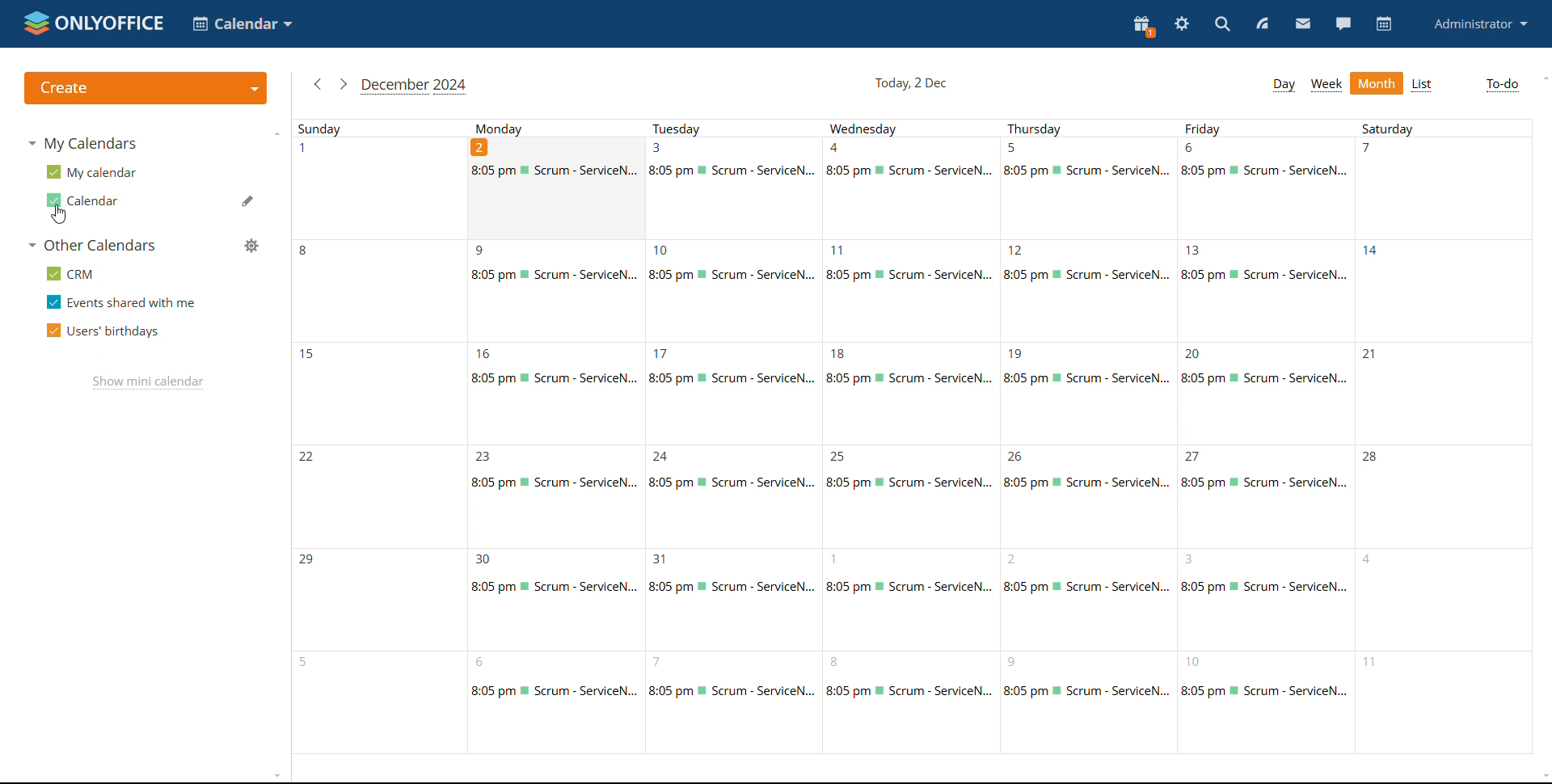  I want to click on 16, so click(557, 390).